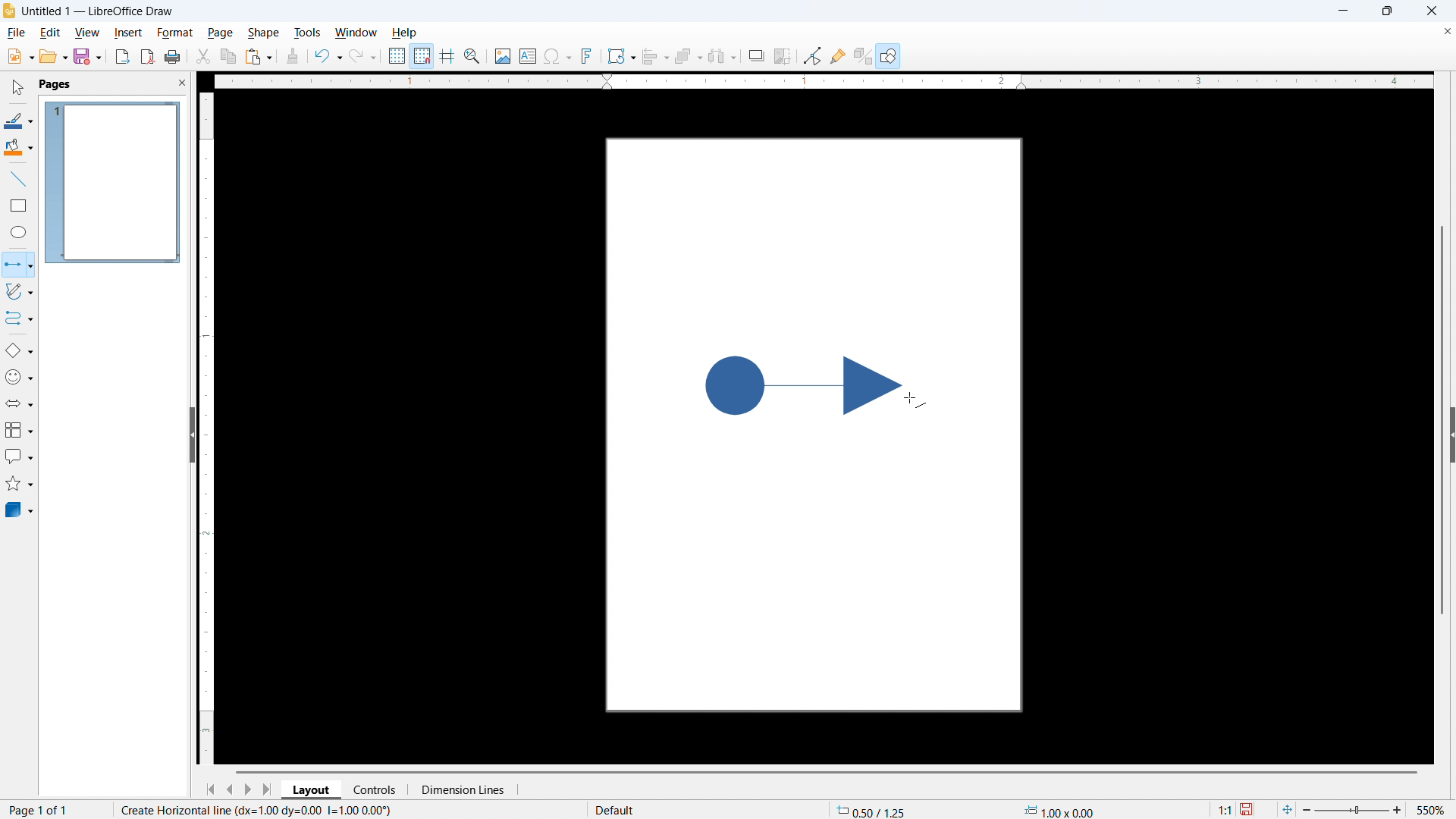  Describe the element at coordinates (19, 292) in the screenshot. I see `Curves and polygons ` at that location.